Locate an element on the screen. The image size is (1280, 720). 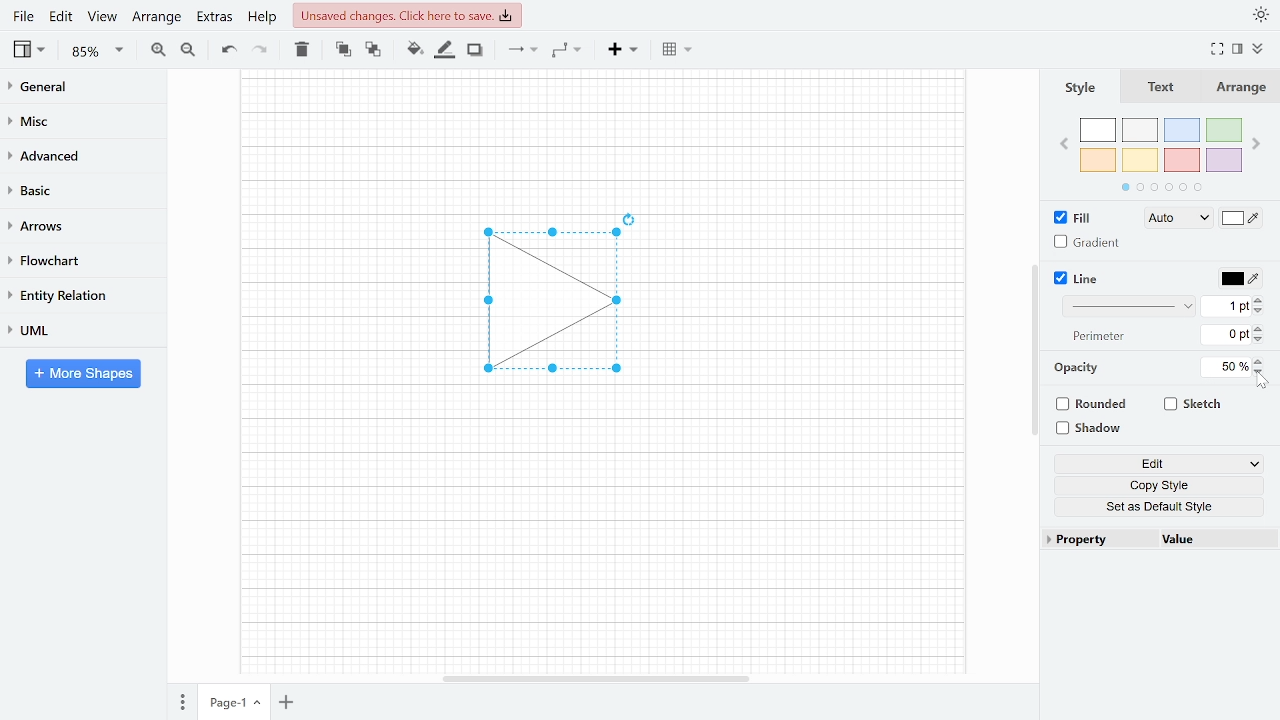
Line color is located at coordinates (1238, 276).